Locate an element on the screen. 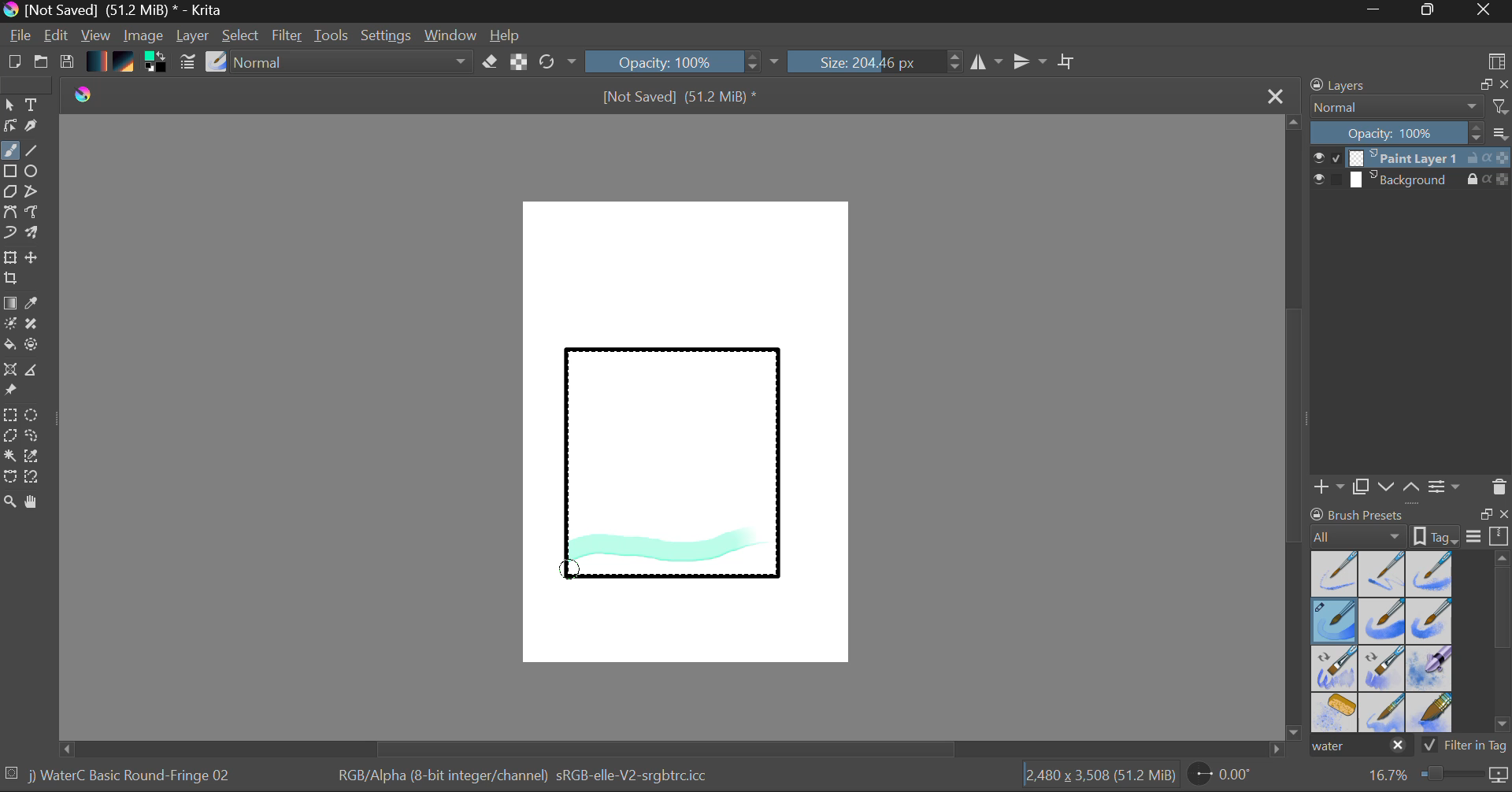 The height and width of the screenshot is (792, 1512). Brush presets docket is located at coordinates (1410, 525).